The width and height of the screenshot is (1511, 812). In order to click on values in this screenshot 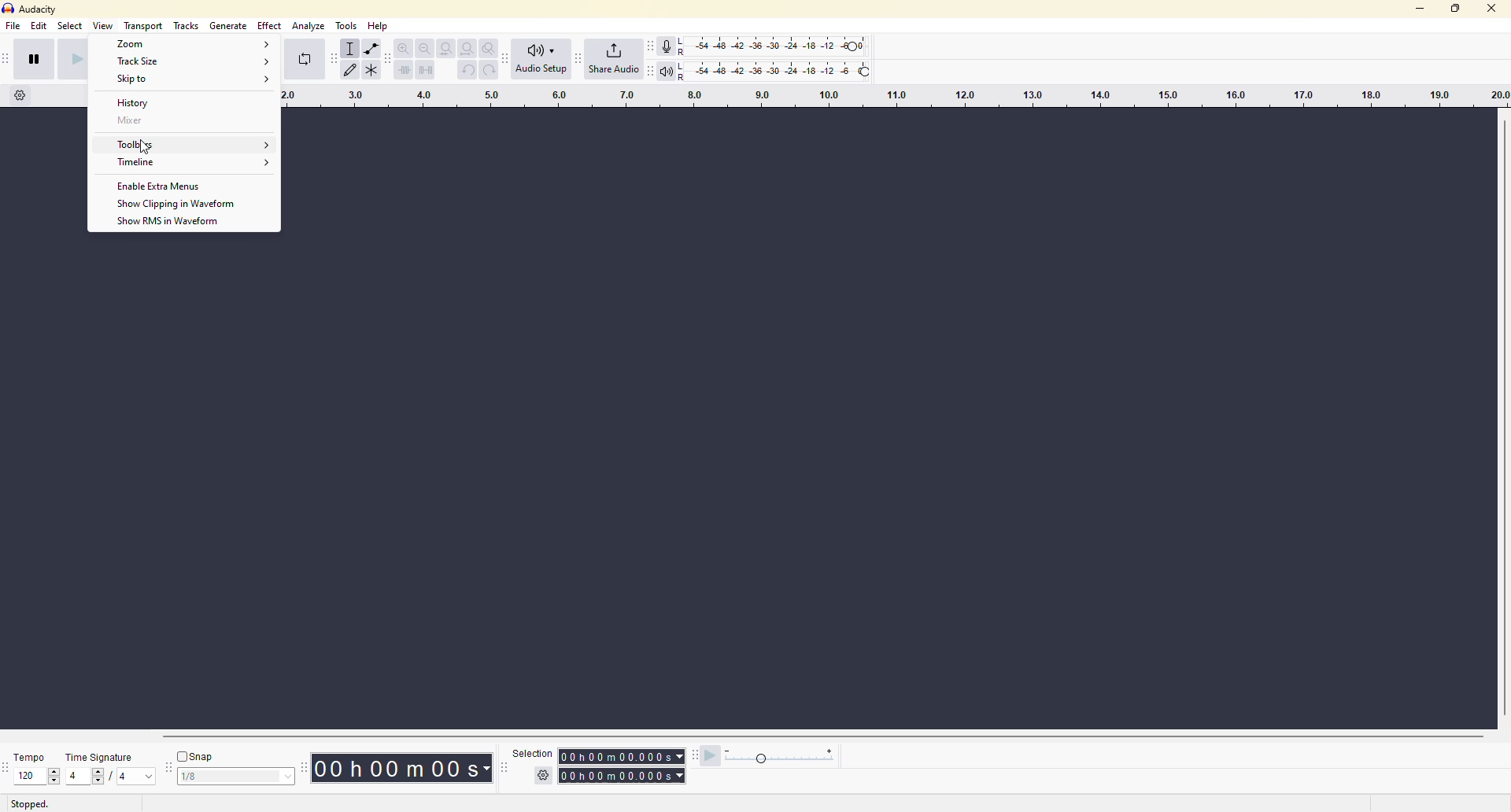, I will do `click(216, 777)`.